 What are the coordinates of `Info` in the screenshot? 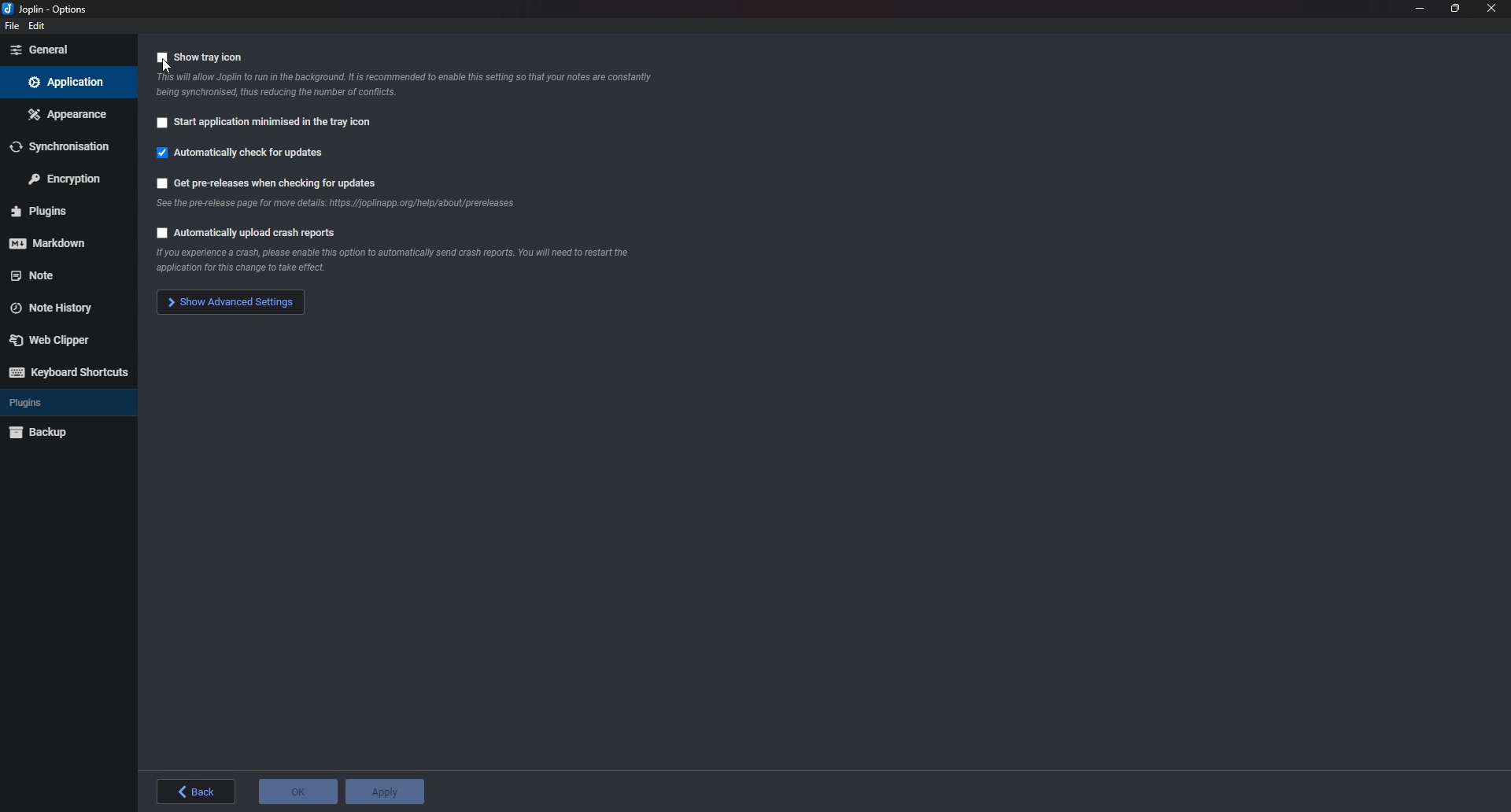 It's located at (334, 208).